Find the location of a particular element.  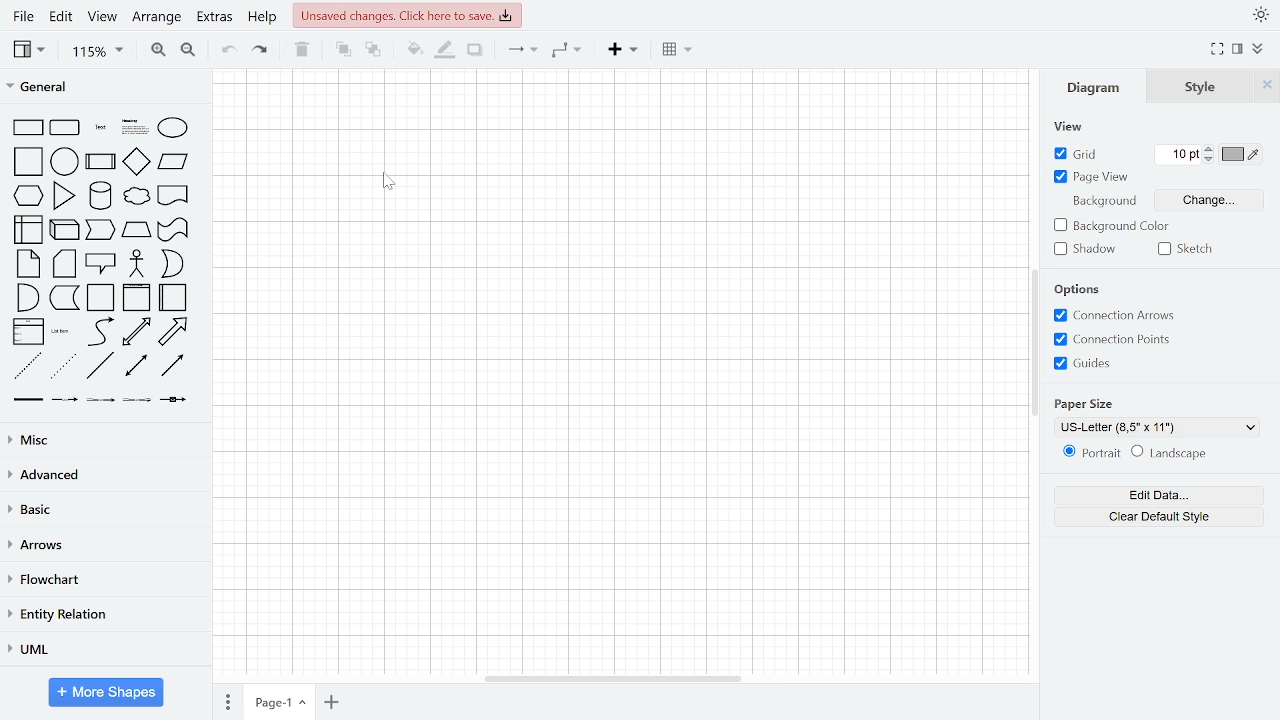

vertical scrollbar is located at coordinates (1035, 344).